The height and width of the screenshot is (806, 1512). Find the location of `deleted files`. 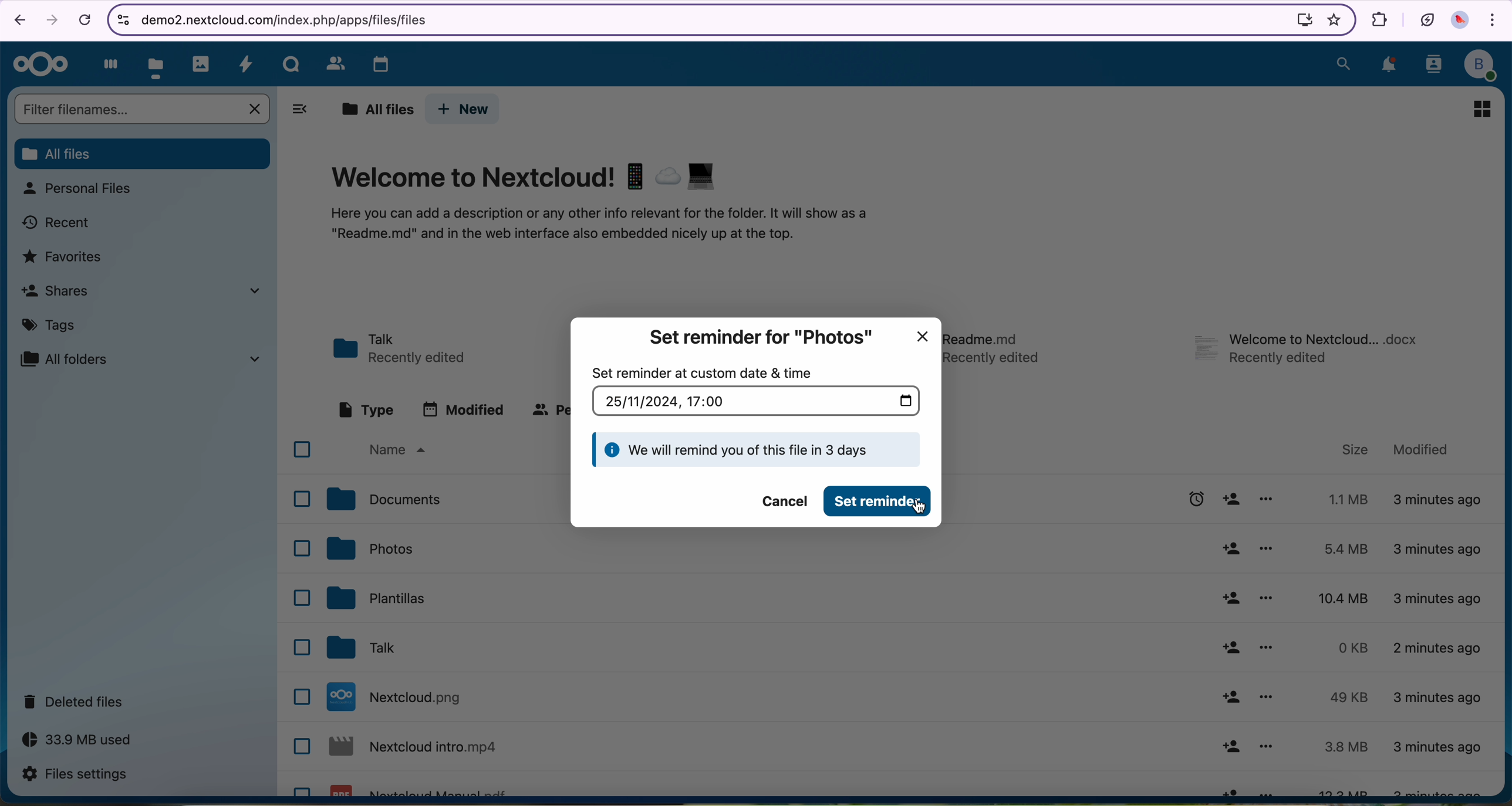

deleted files is located at coordinates (76, 702).